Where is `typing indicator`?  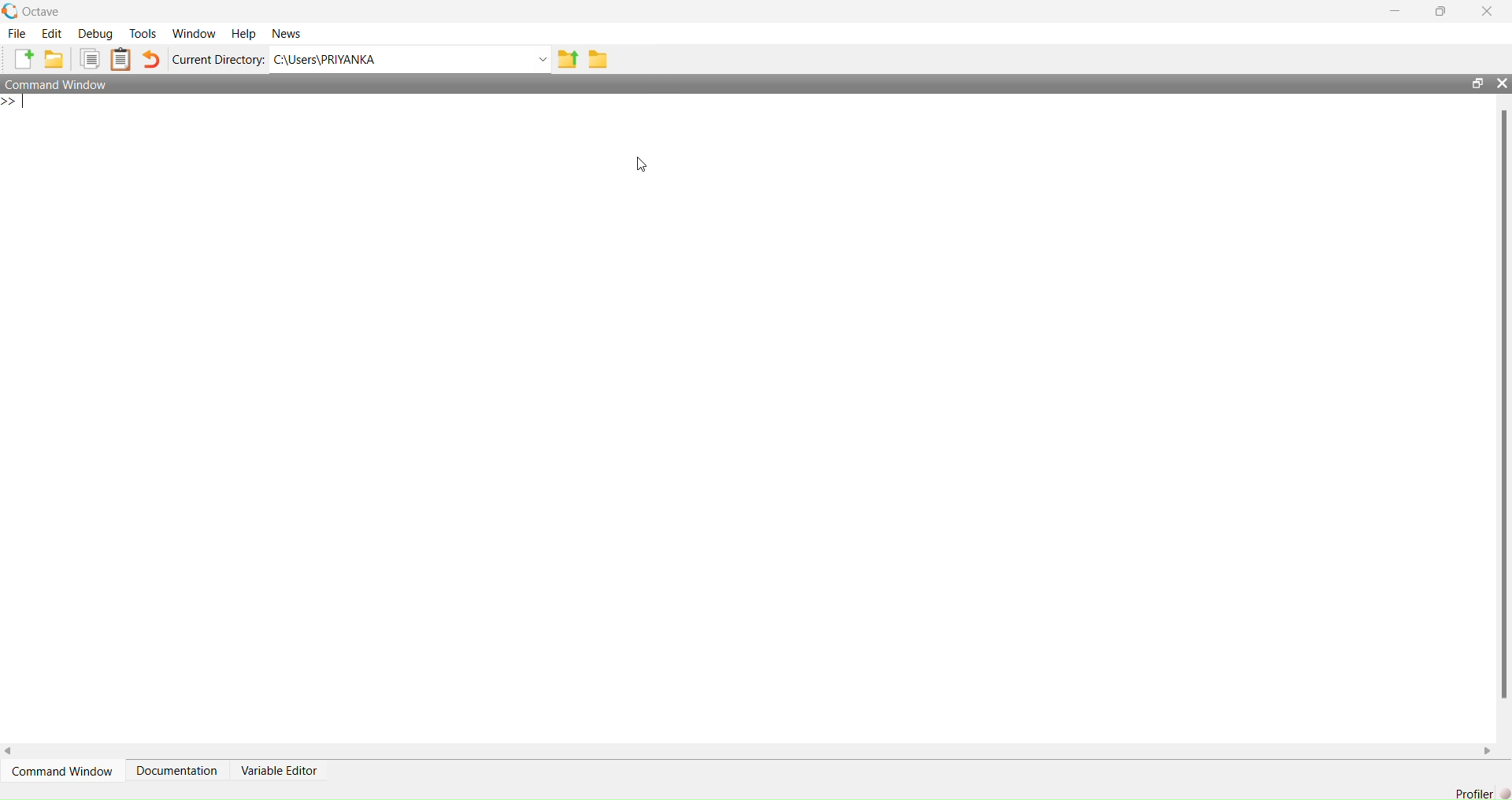
typing indicator is located at coordinates (23, 101).